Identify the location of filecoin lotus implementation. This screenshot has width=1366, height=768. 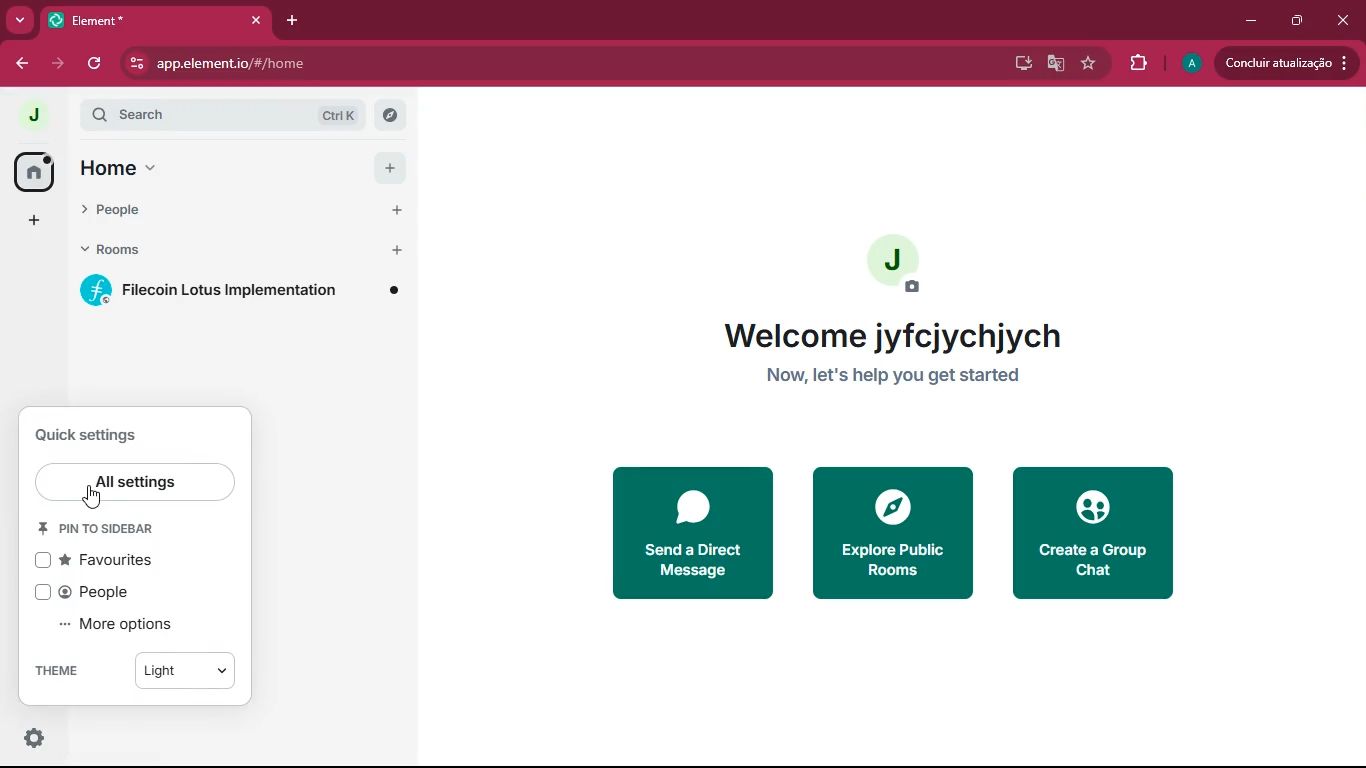
(241, 290).